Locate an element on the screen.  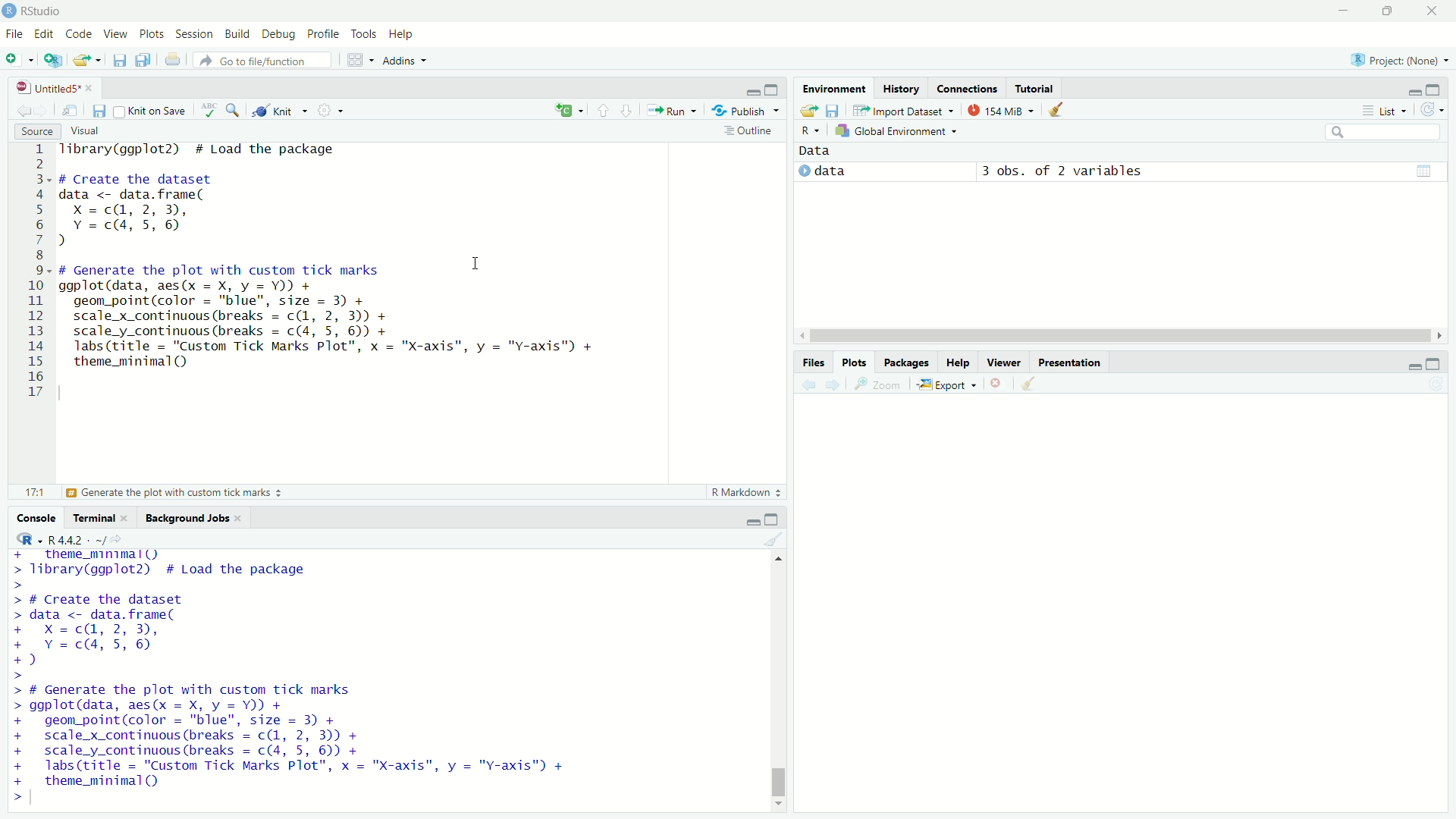
profile is located at coordinates (323, 34).